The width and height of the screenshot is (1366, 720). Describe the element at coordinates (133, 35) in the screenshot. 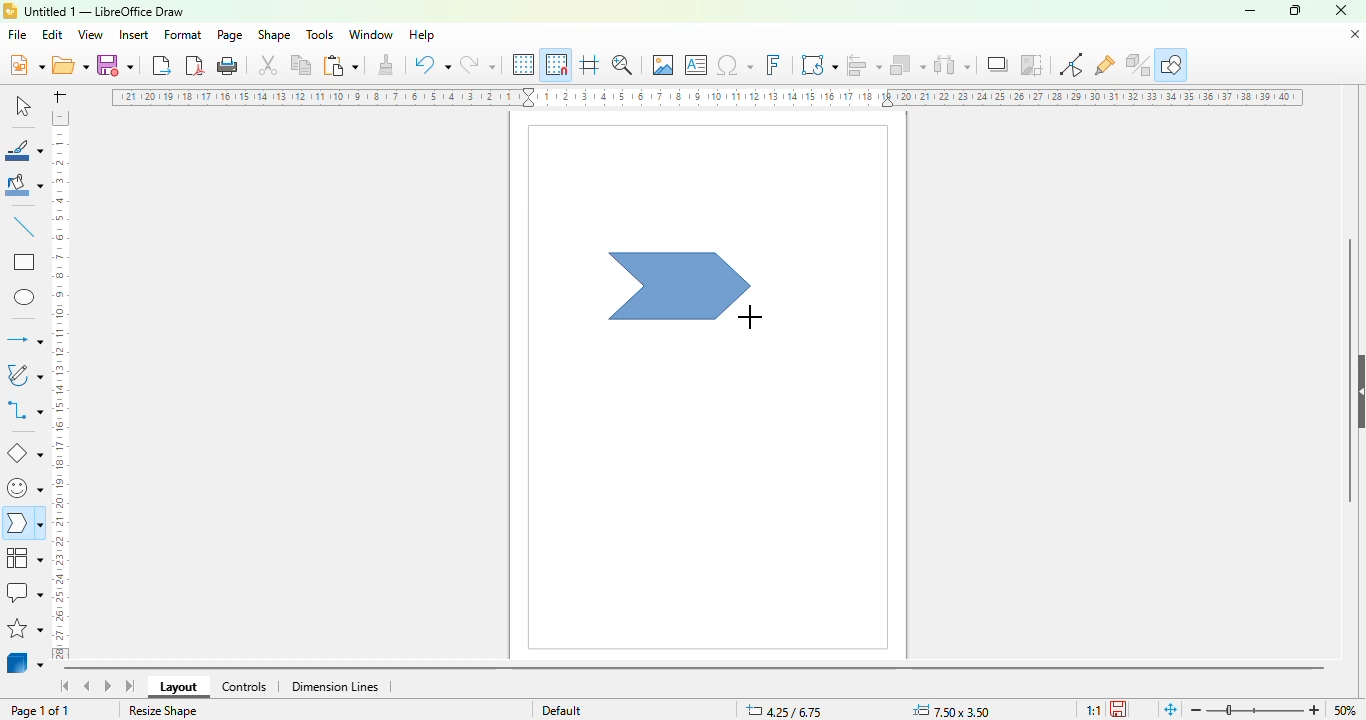

I see `insert` at that location.